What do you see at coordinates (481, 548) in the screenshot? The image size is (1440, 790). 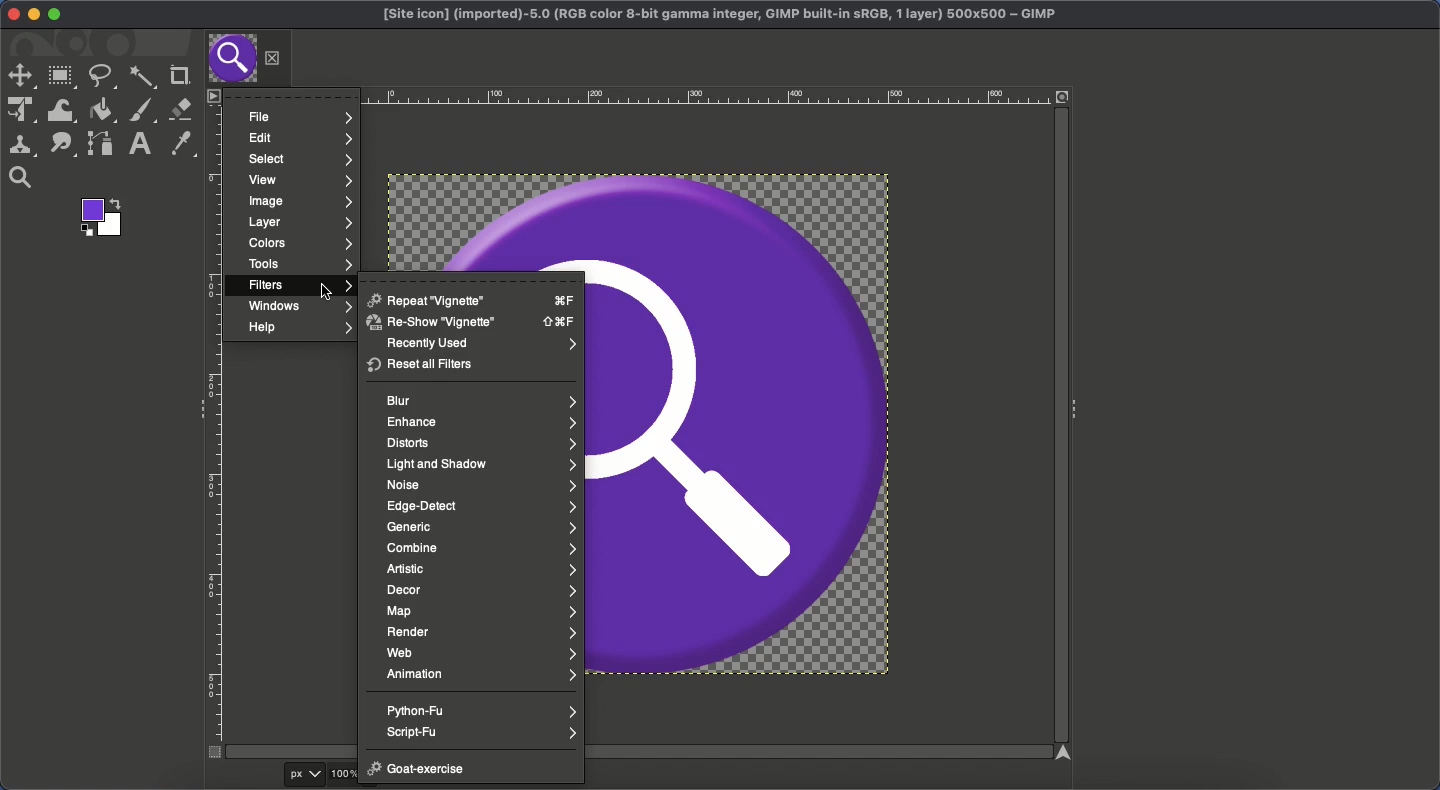 I see `Combine` at bounding box center [481, 548].